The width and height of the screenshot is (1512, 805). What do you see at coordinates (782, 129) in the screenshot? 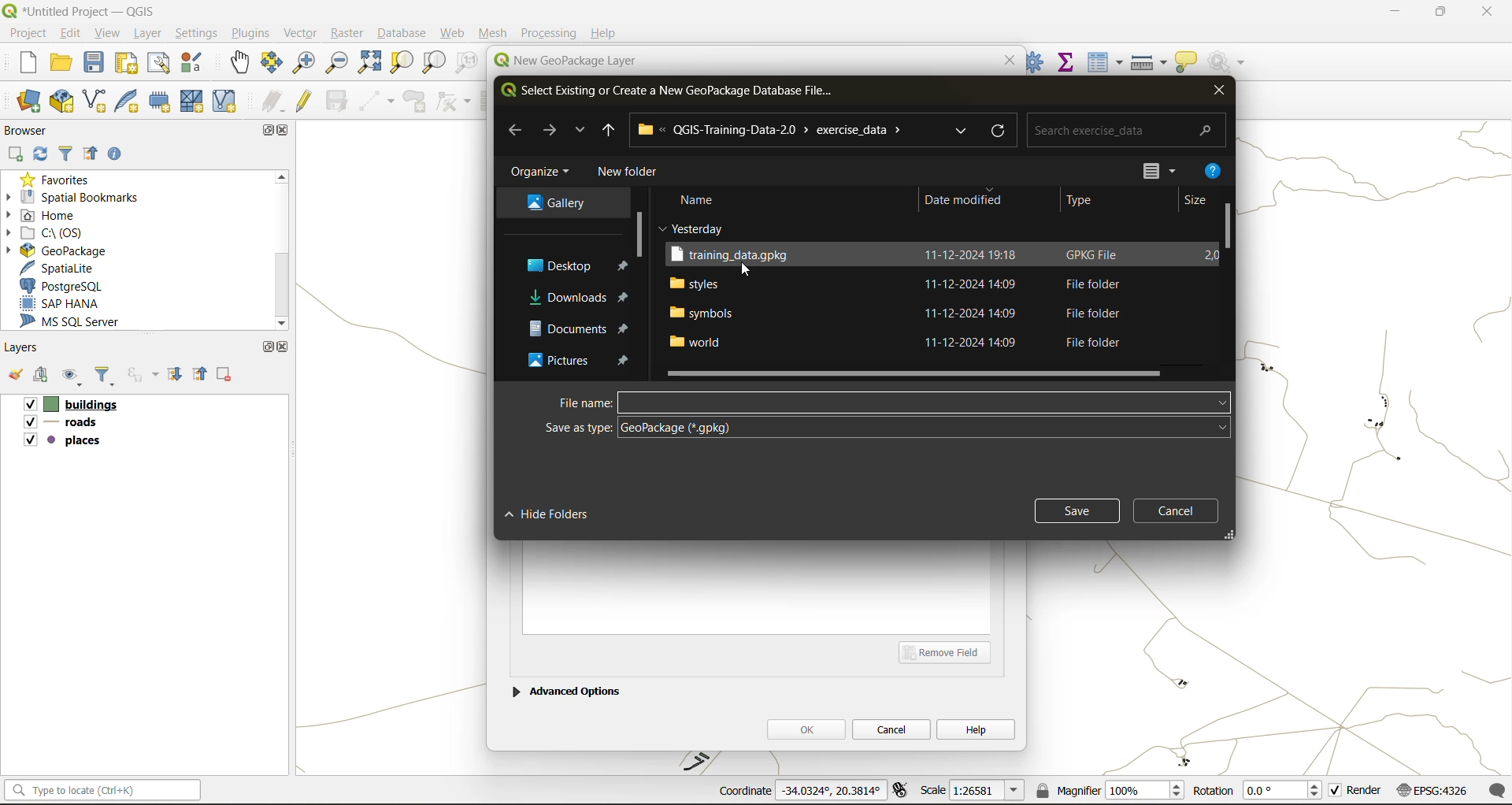
I see `QGIS-Training-Data-2.0 > exercise_data(file path)` at bounding box center [782, 129].